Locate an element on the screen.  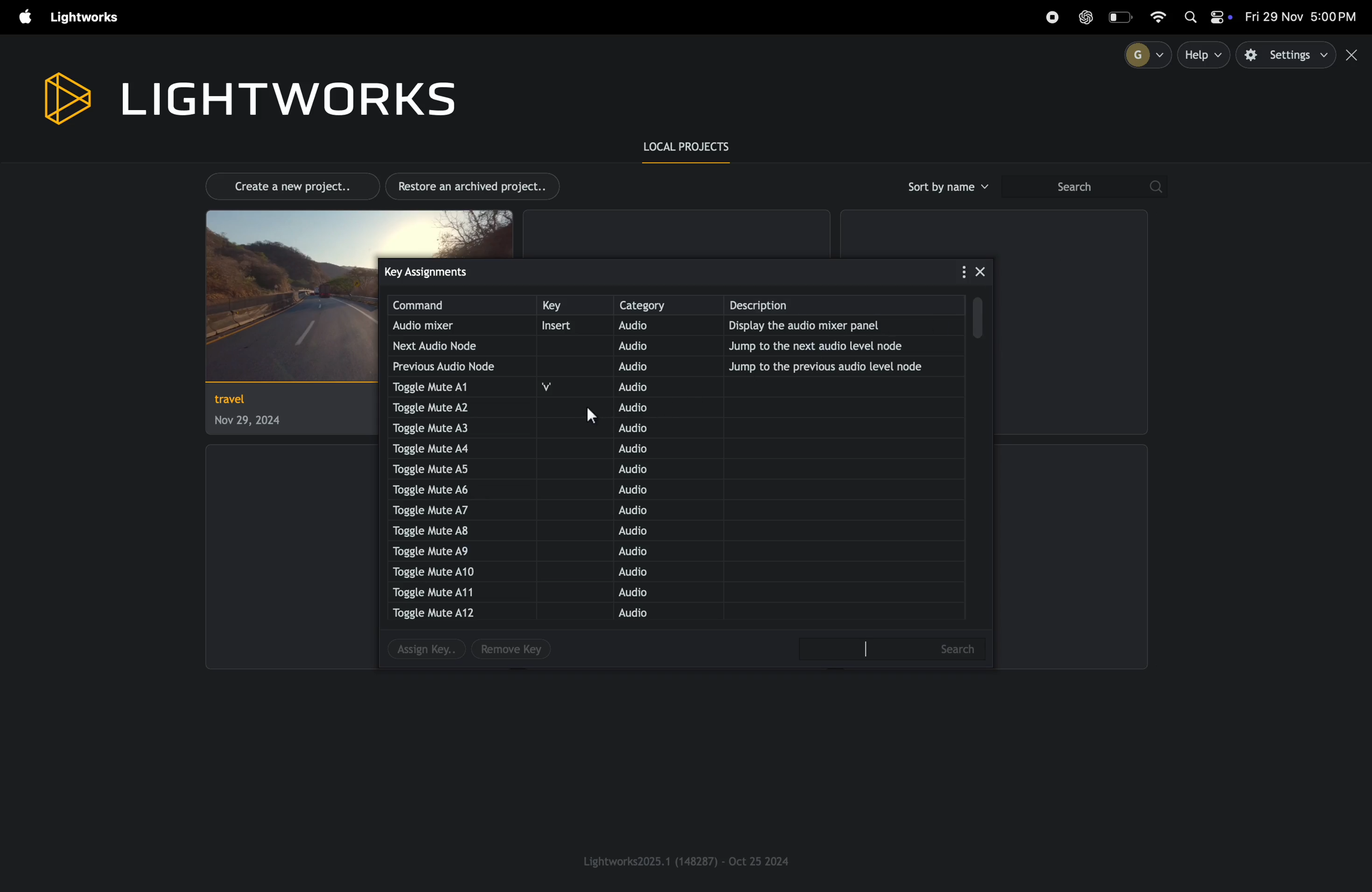
light works version is located at coordinates (688, 860).